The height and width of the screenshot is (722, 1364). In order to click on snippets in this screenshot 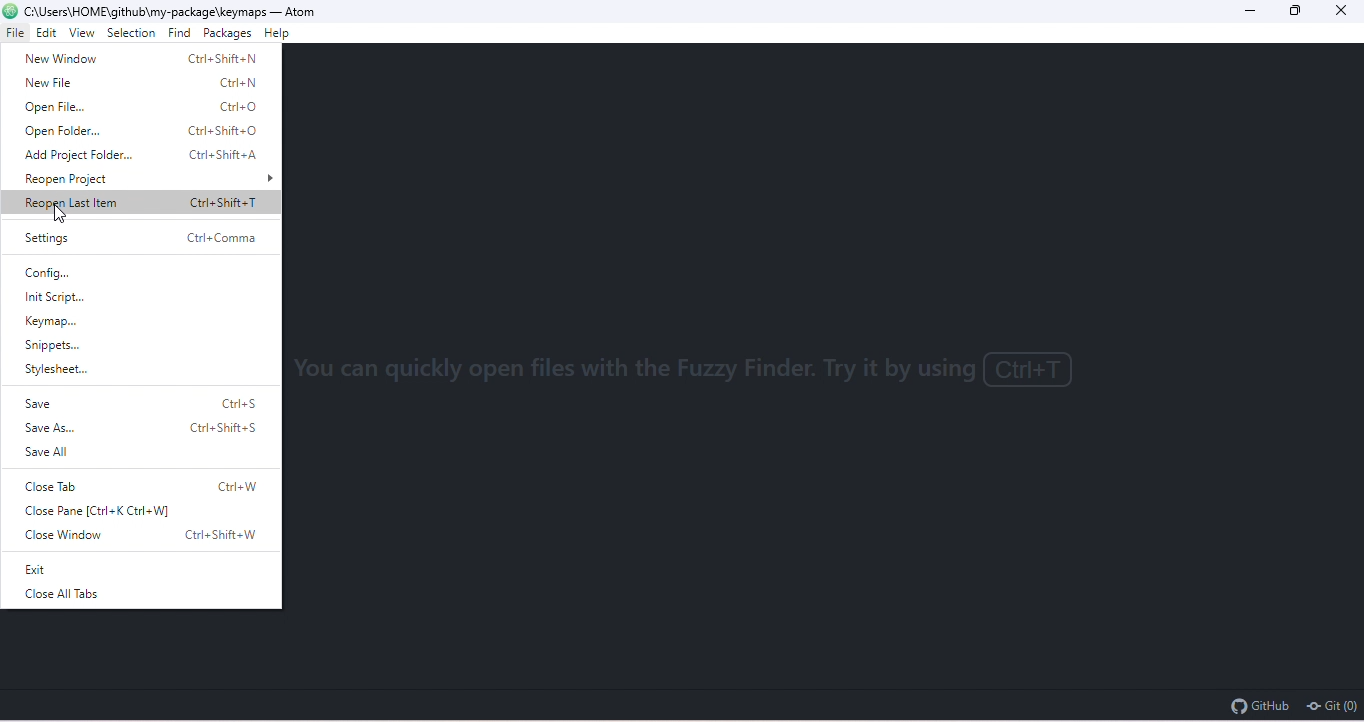, I will do `click(80, 343)`.